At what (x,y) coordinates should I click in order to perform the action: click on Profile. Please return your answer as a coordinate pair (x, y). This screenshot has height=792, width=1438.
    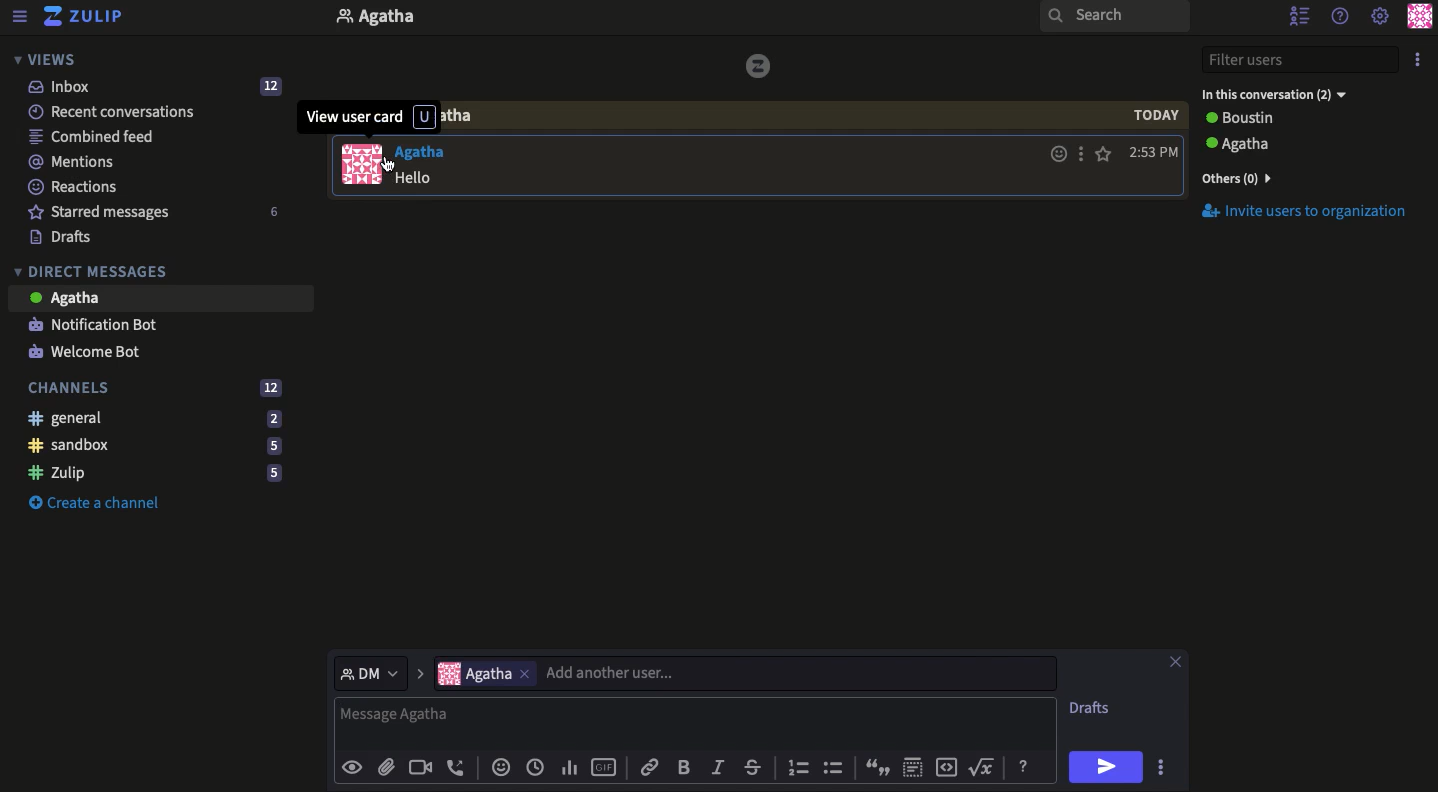
    Looking at the image, I should click on (1423, 15).